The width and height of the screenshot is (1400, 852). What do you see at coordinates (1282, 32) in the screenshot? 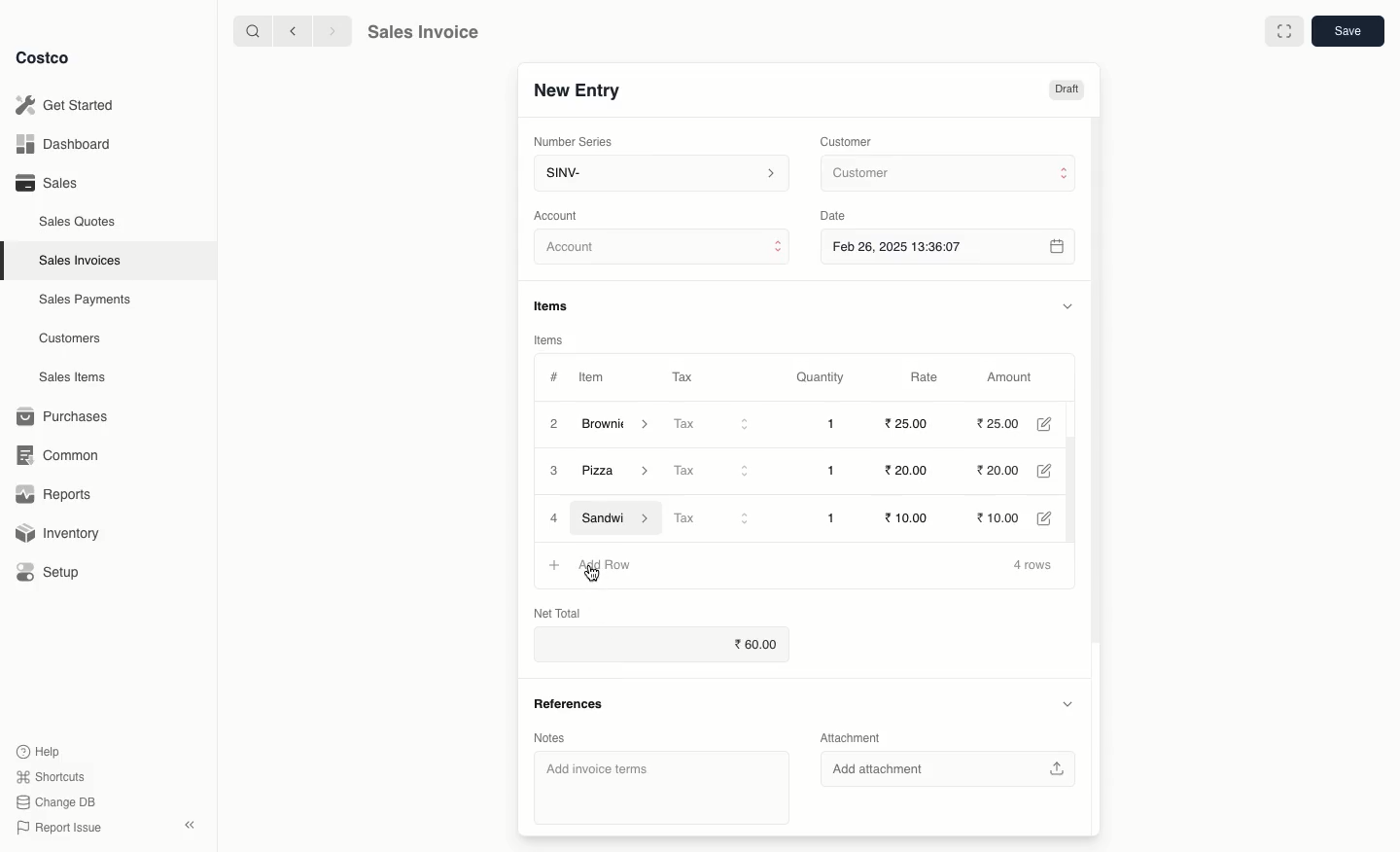
I see `Full width toggle` at bounding box center [1282, 32].